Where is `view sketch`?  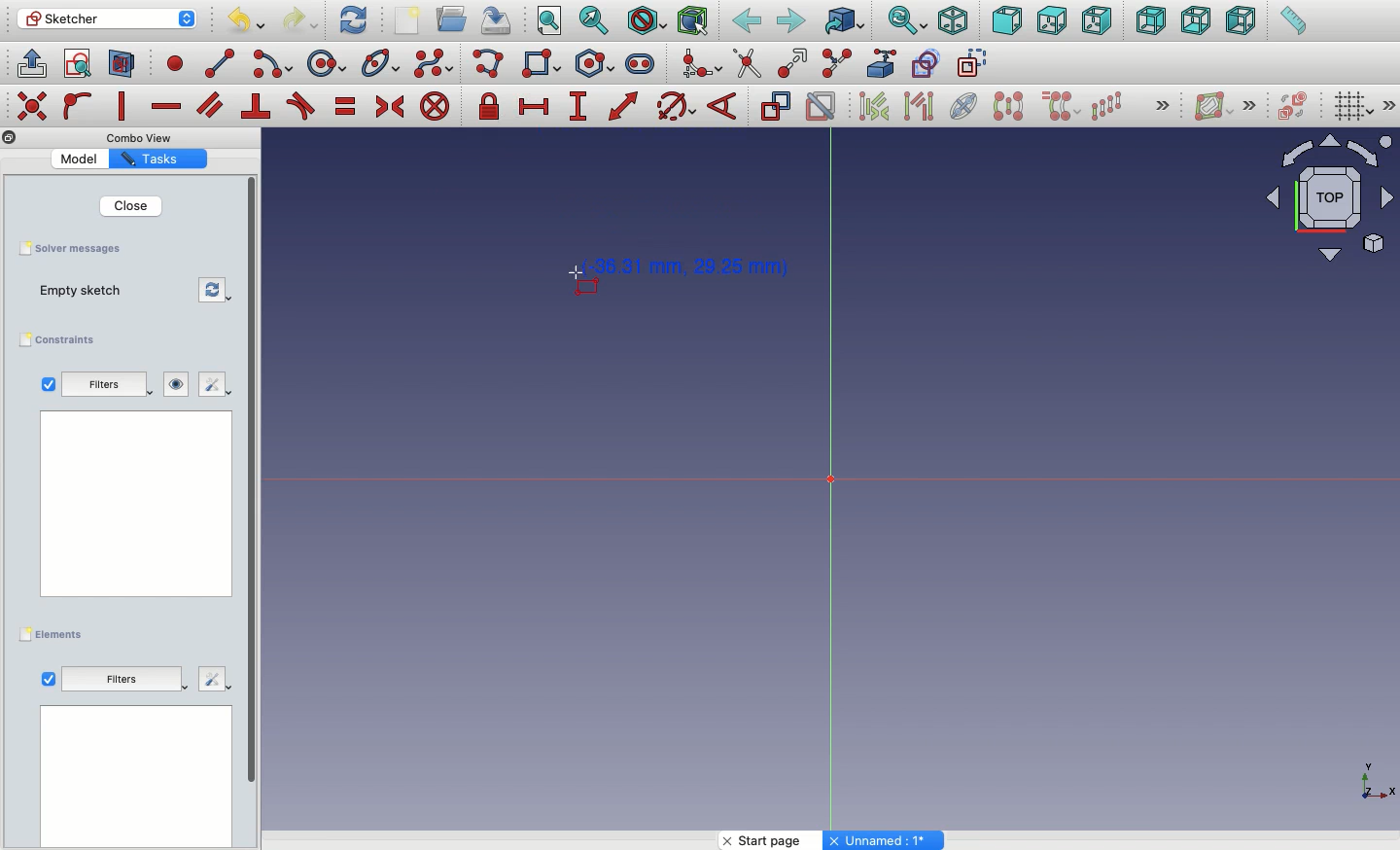
view sketch is located at coordinates (81, 65).